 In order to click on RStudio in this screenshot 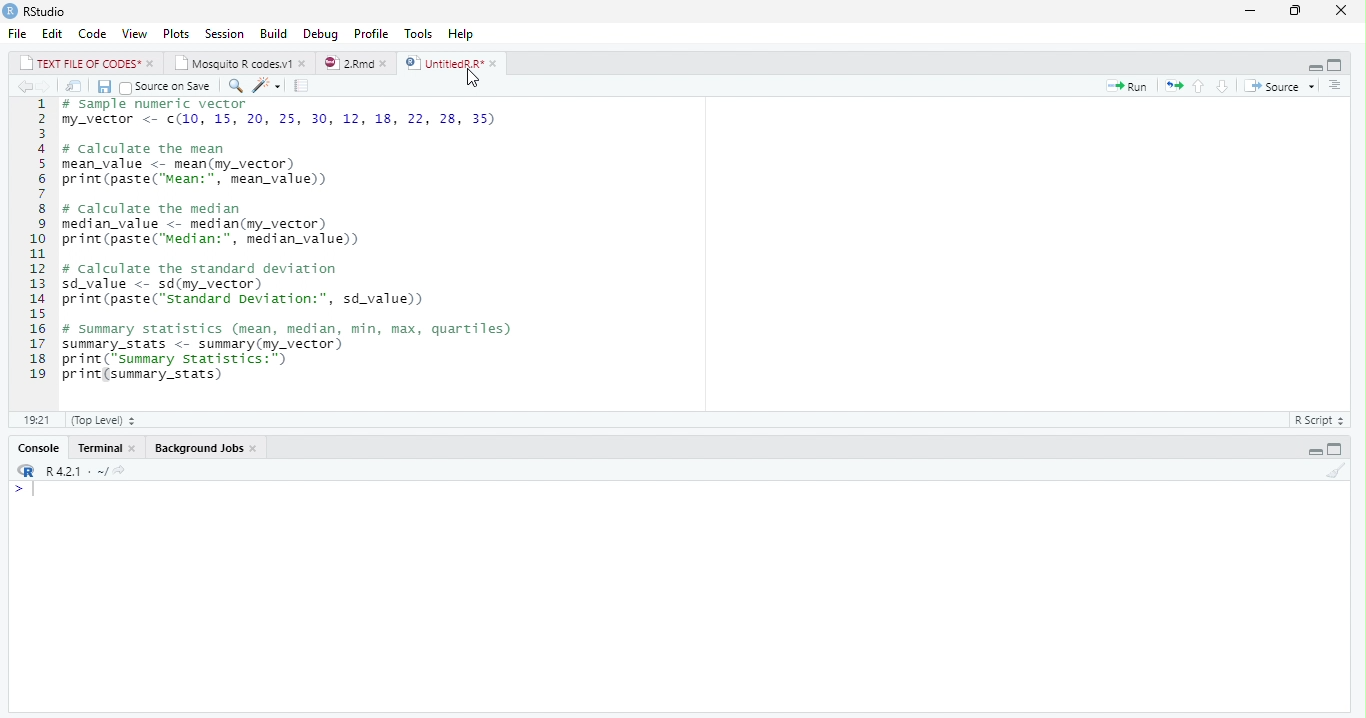, I will do `click(47, 12)`.